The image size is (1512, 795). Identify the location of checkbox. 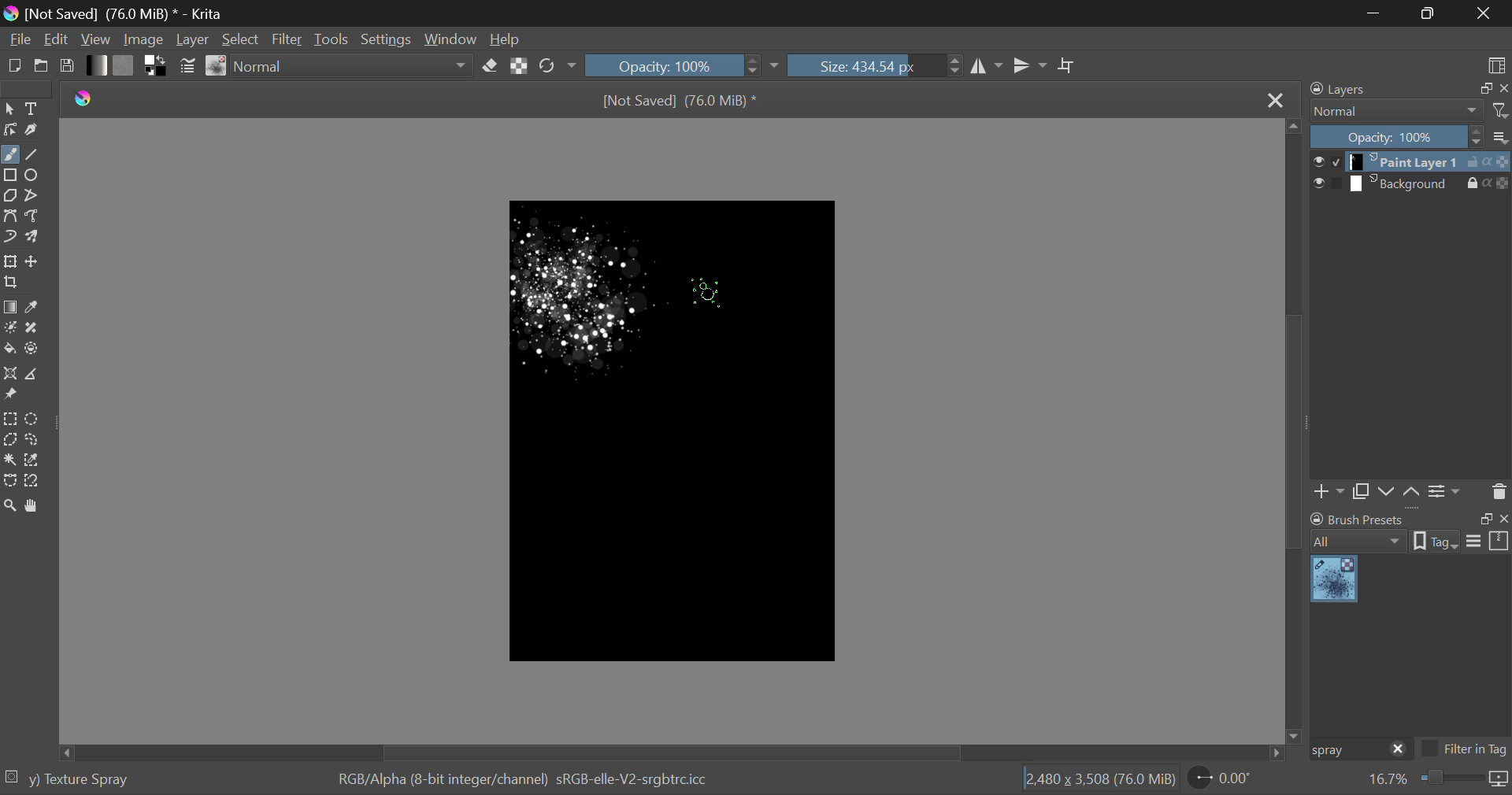
(1326, 161).